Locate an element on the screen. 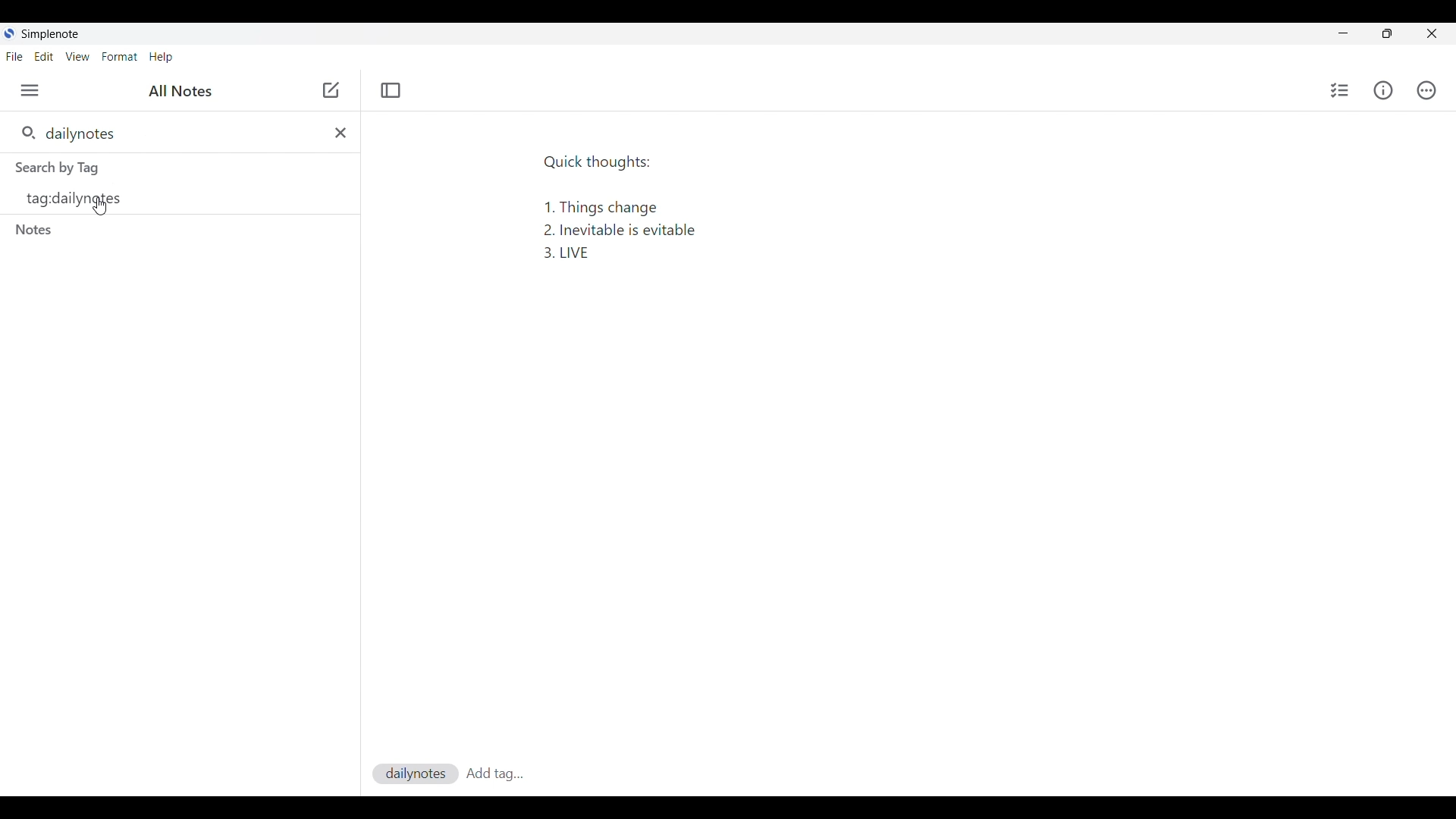  Edit menu is located at coordinates (44, 57).